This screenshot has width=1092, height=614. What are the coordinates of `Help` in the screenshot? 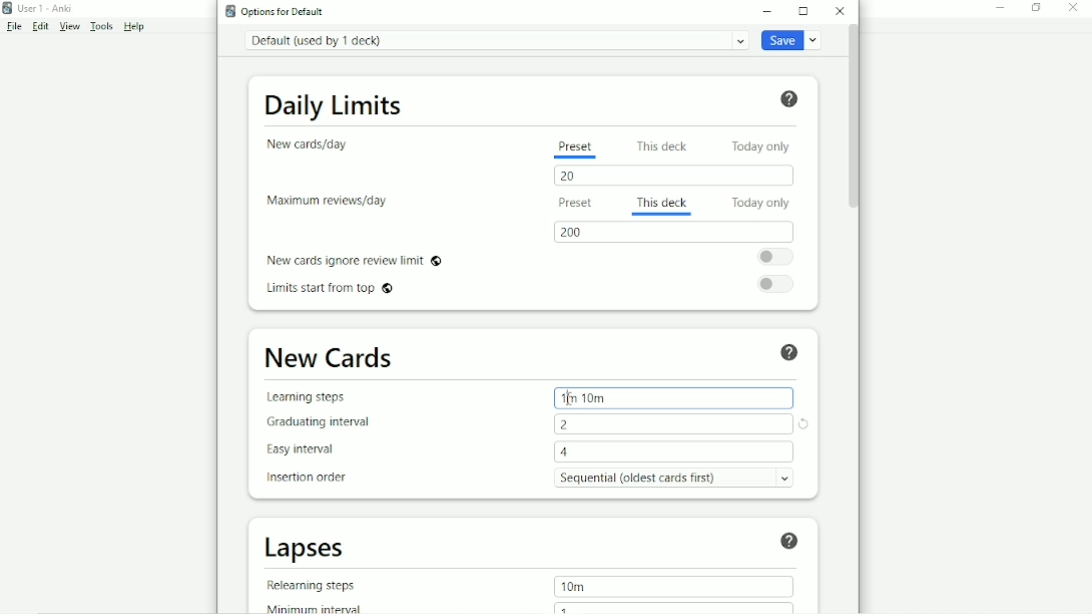 It's located at (790, 540).